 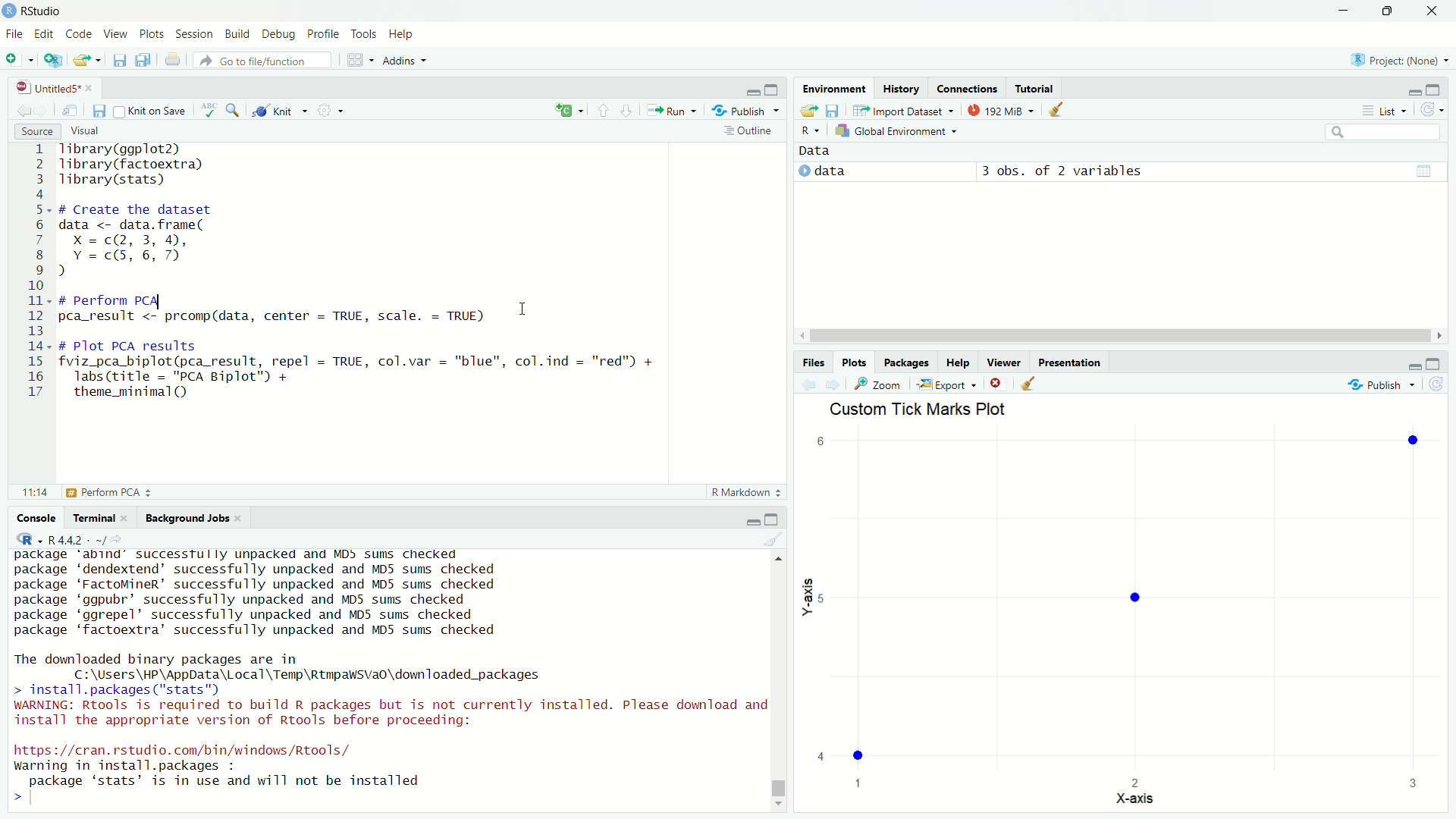 What do you see at coordinates (1413, 362) in the screenshot?
I see `minimize` at bounding box center [1413, 362].